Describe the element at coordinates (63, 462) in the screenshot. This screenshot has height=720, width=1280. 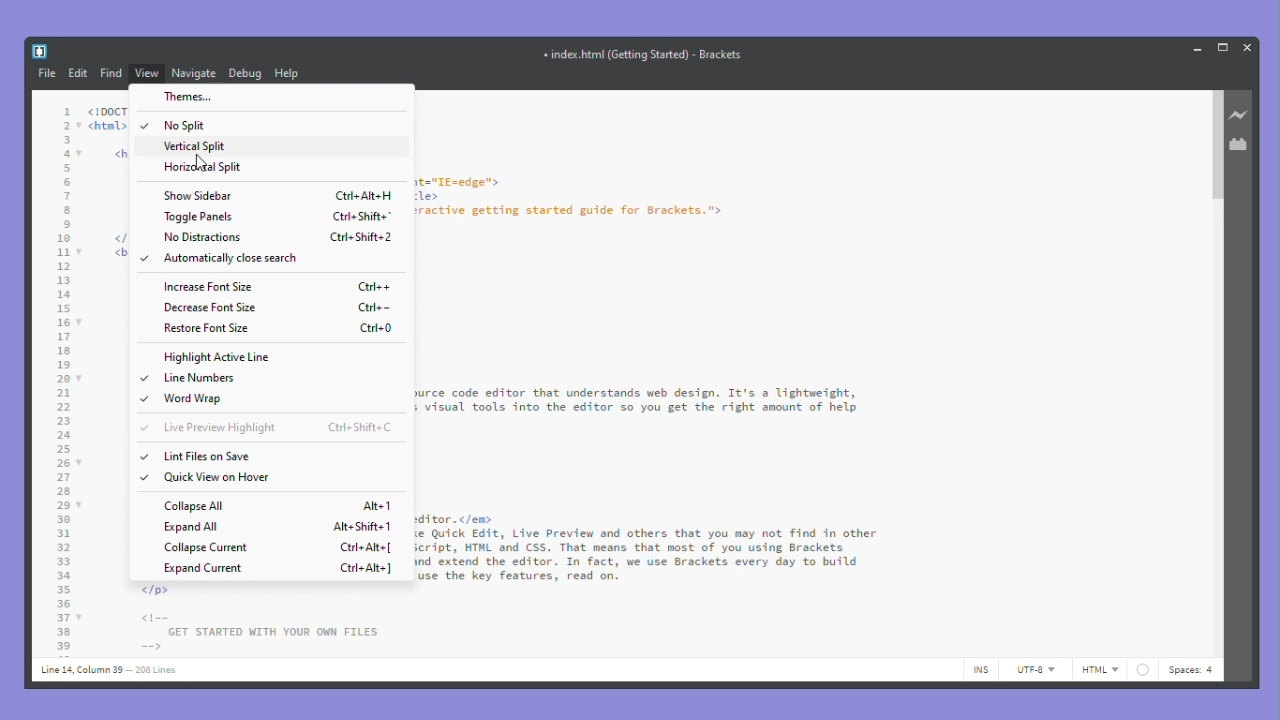
I see `26` at that location.